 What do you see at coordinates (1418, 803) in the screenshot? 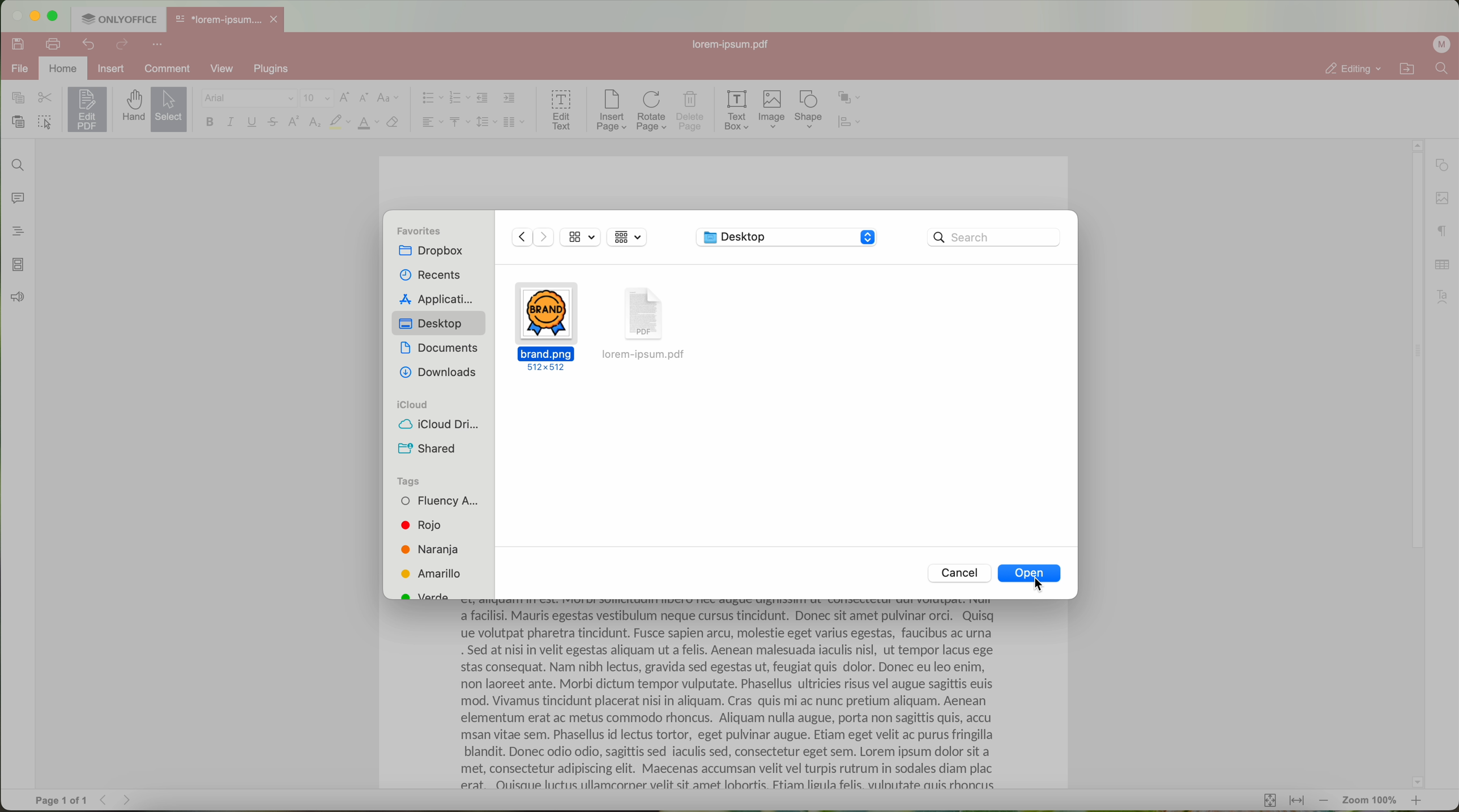
I see `zoom in` at bounding box center [1418, 803].